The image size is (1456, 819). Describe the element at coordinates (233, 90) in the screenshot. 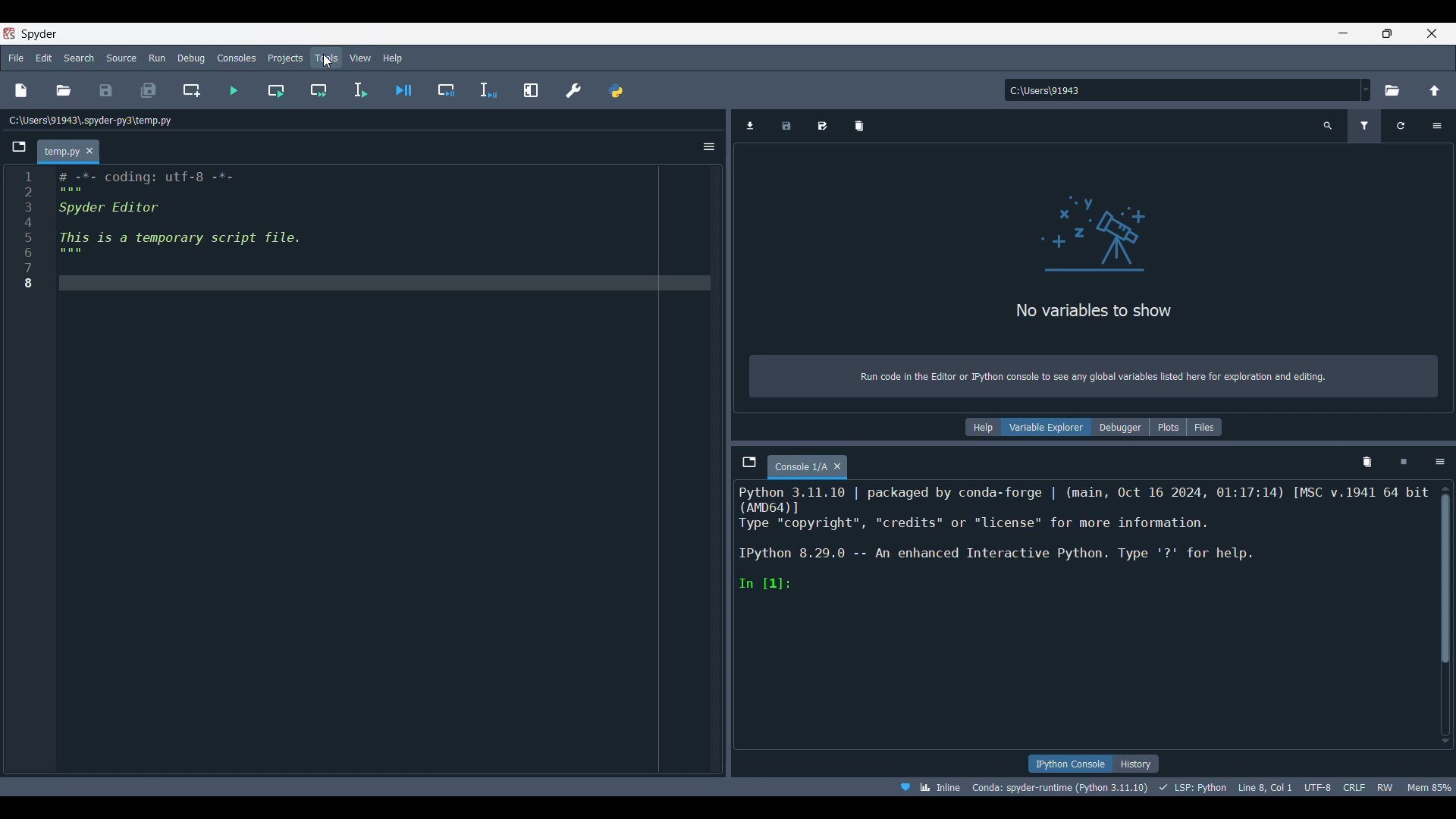

I see `Run file` at that location.